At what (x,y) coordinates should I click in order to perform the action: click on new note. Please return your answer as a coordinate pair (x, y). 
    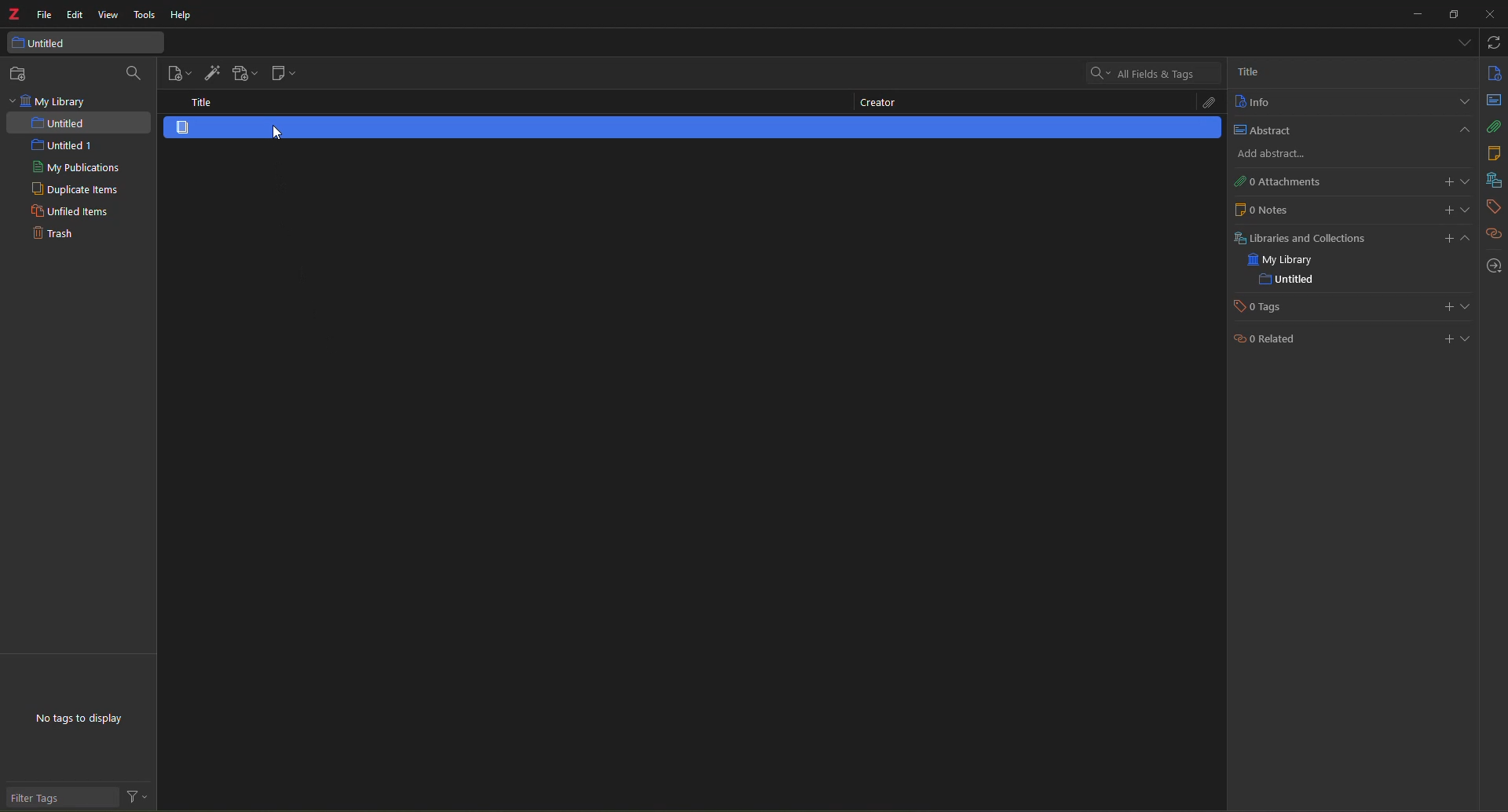
    Looking at the image, I should click on (281, 75).